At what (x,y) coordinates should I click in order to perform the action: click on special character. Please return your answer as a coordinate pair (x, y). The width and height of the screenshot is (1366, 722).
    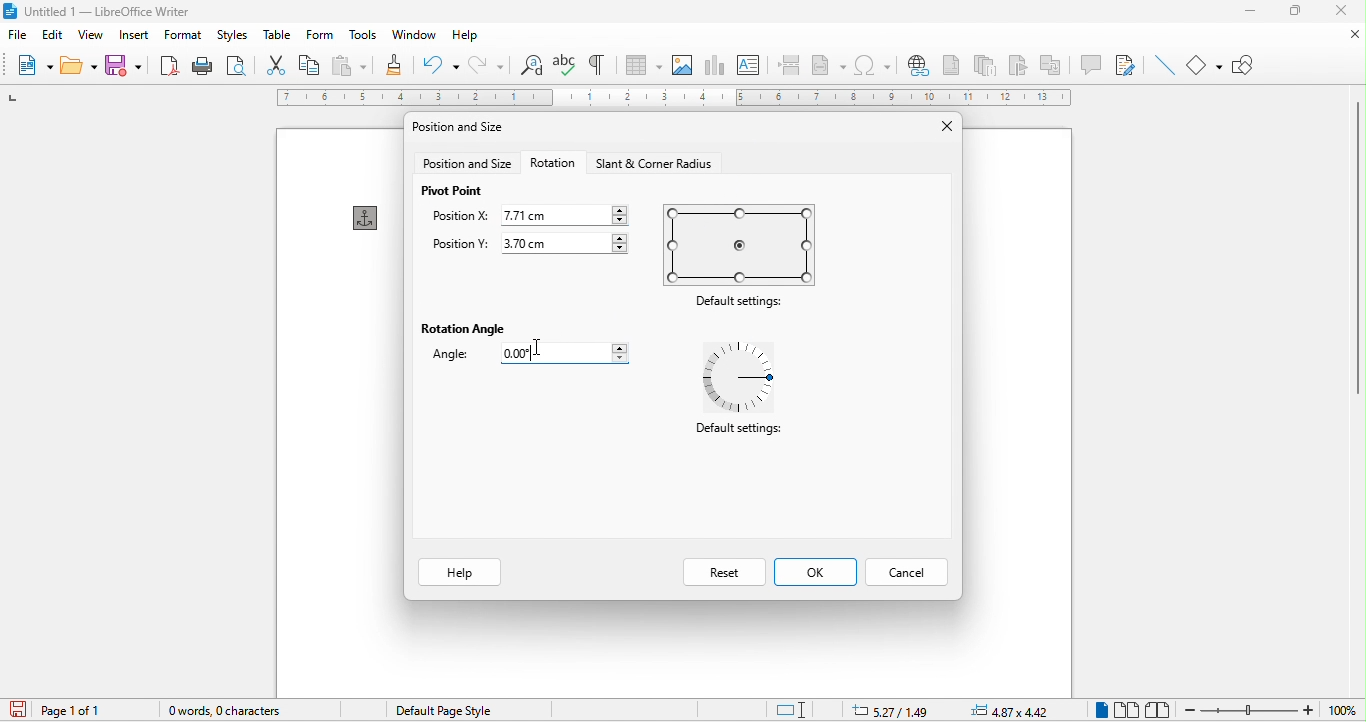
    Looking at the image, I should click on (875, 66).